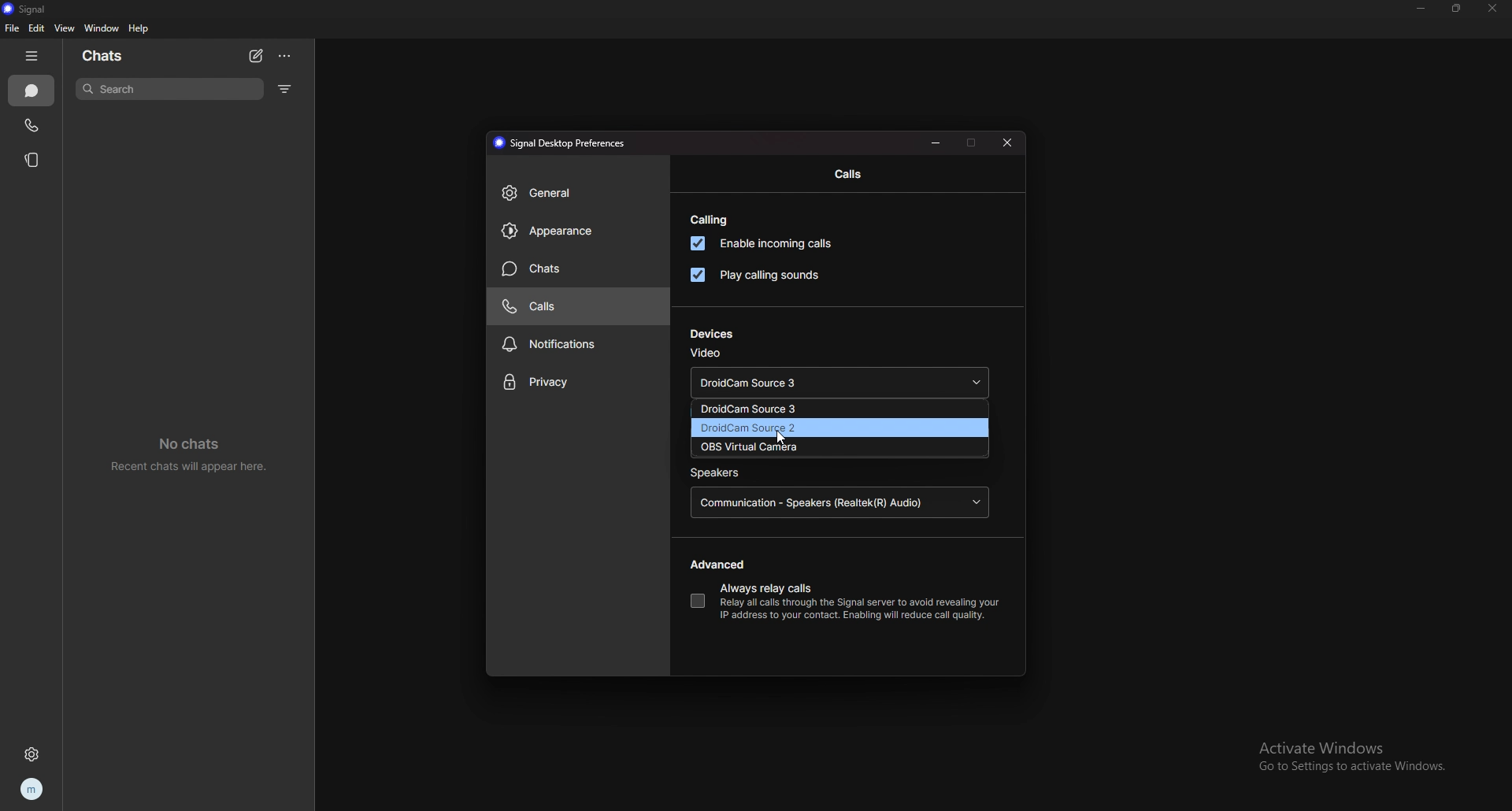 The image size is (1512, 811). What do you see at coordinates (578, 231) in the screenshot?
I see `appearance` at bounding box center [578, 231].